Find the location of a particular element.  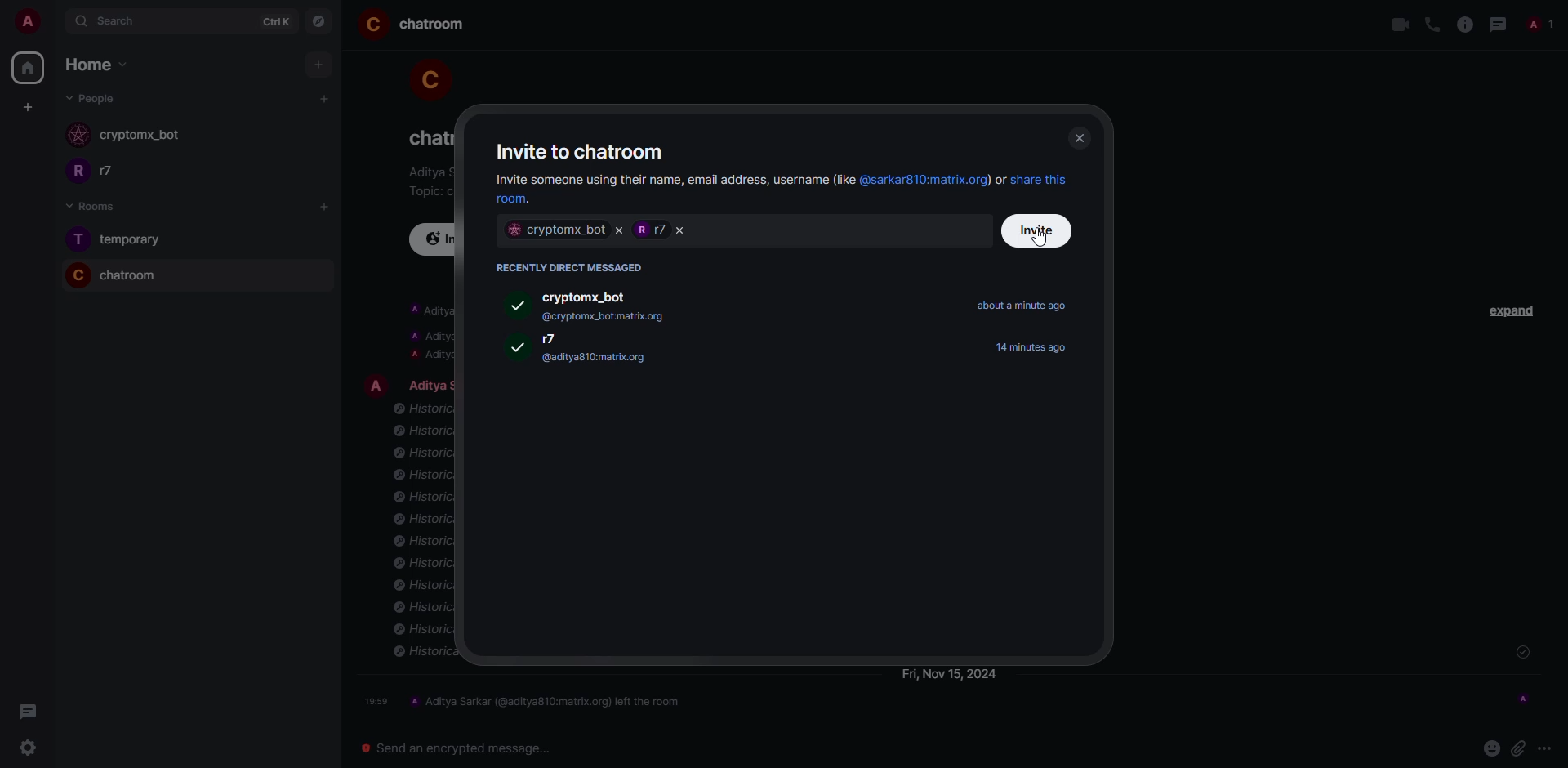

people is located at coordinates (561, 340).